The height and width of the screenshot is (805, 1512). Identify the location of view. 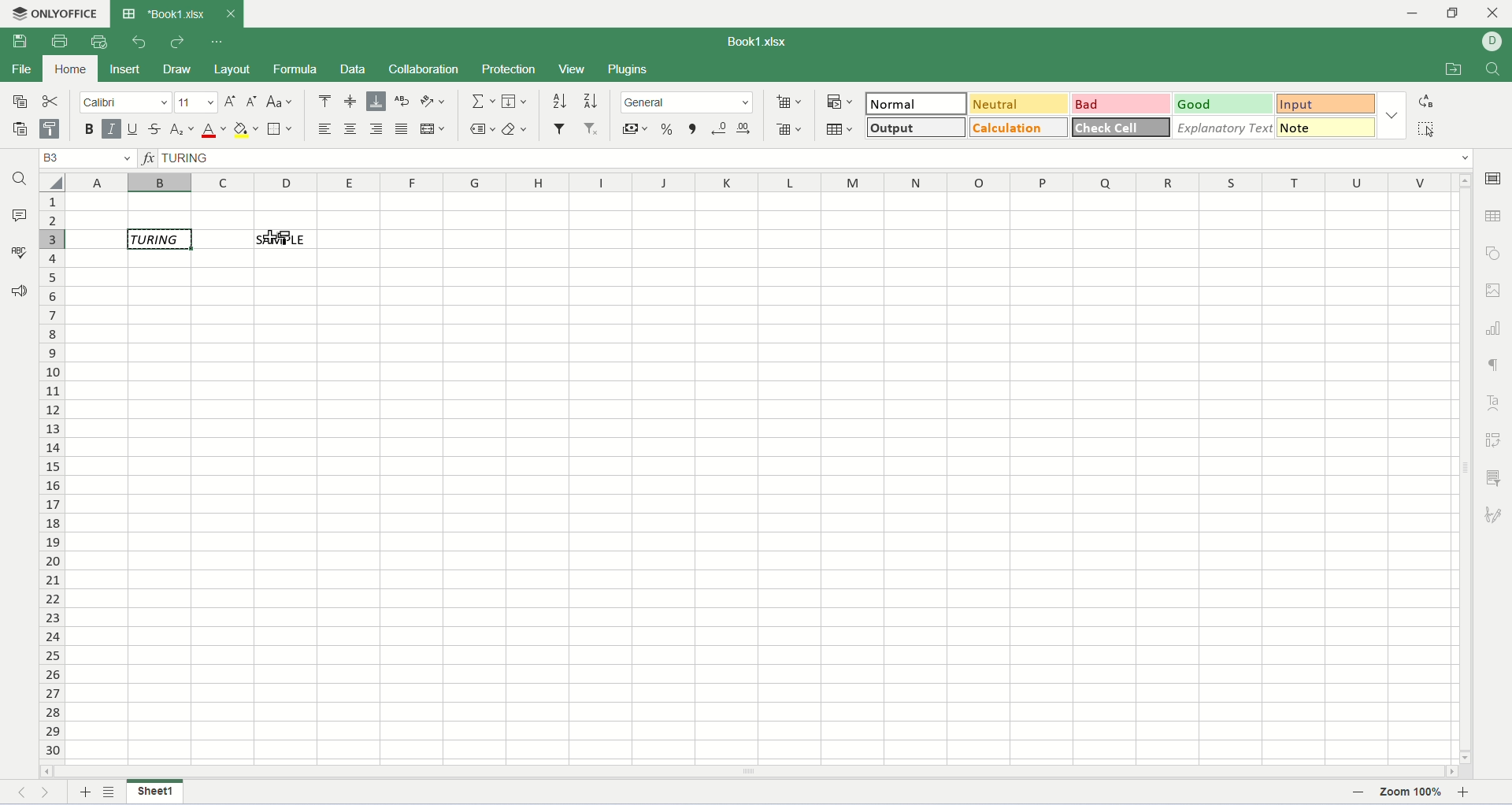
(571, 69).